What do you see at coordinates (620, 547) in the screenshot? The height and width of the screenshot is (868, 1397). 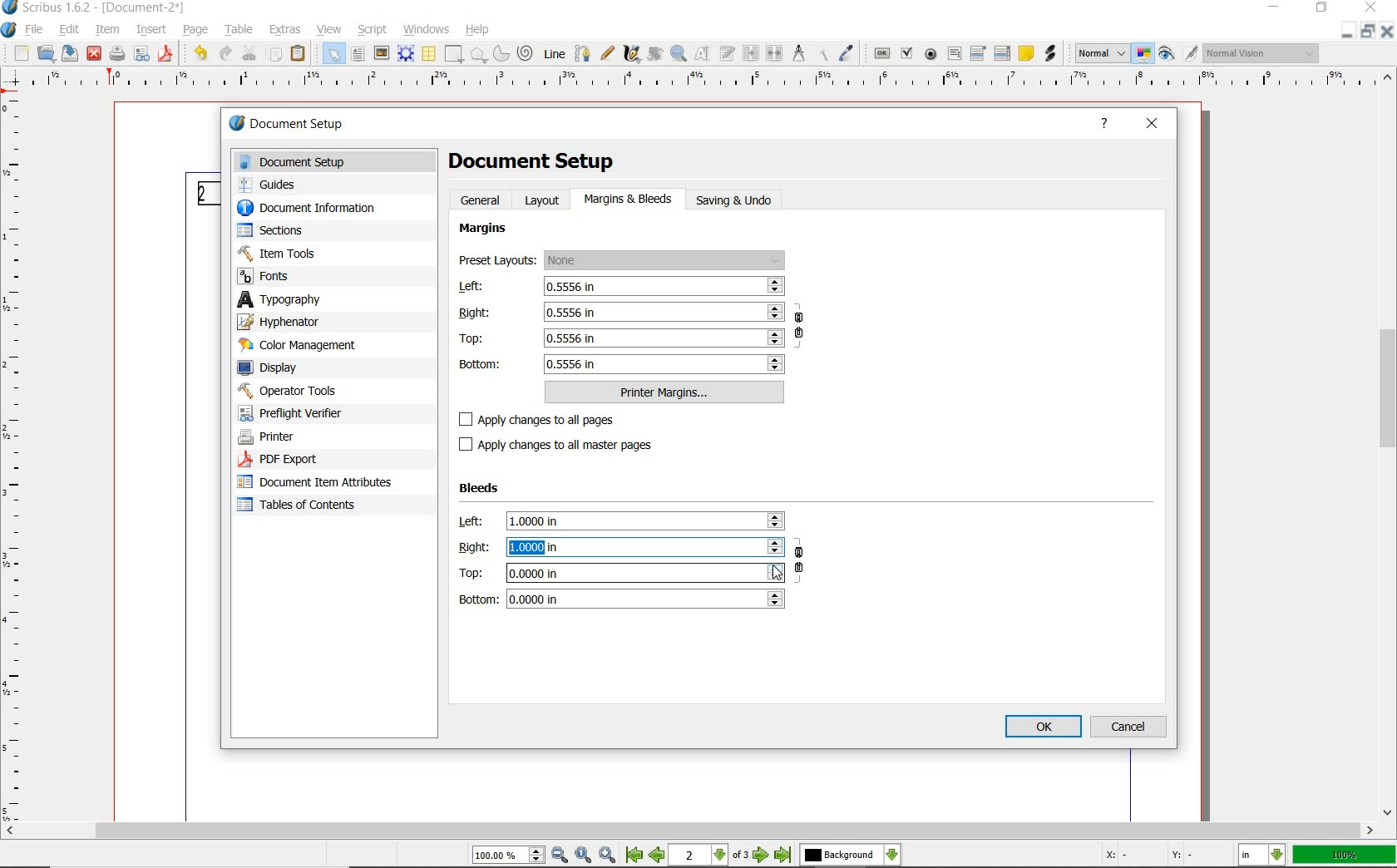 I see `Right: 1.0000 in` at bounding box center [620, 547].